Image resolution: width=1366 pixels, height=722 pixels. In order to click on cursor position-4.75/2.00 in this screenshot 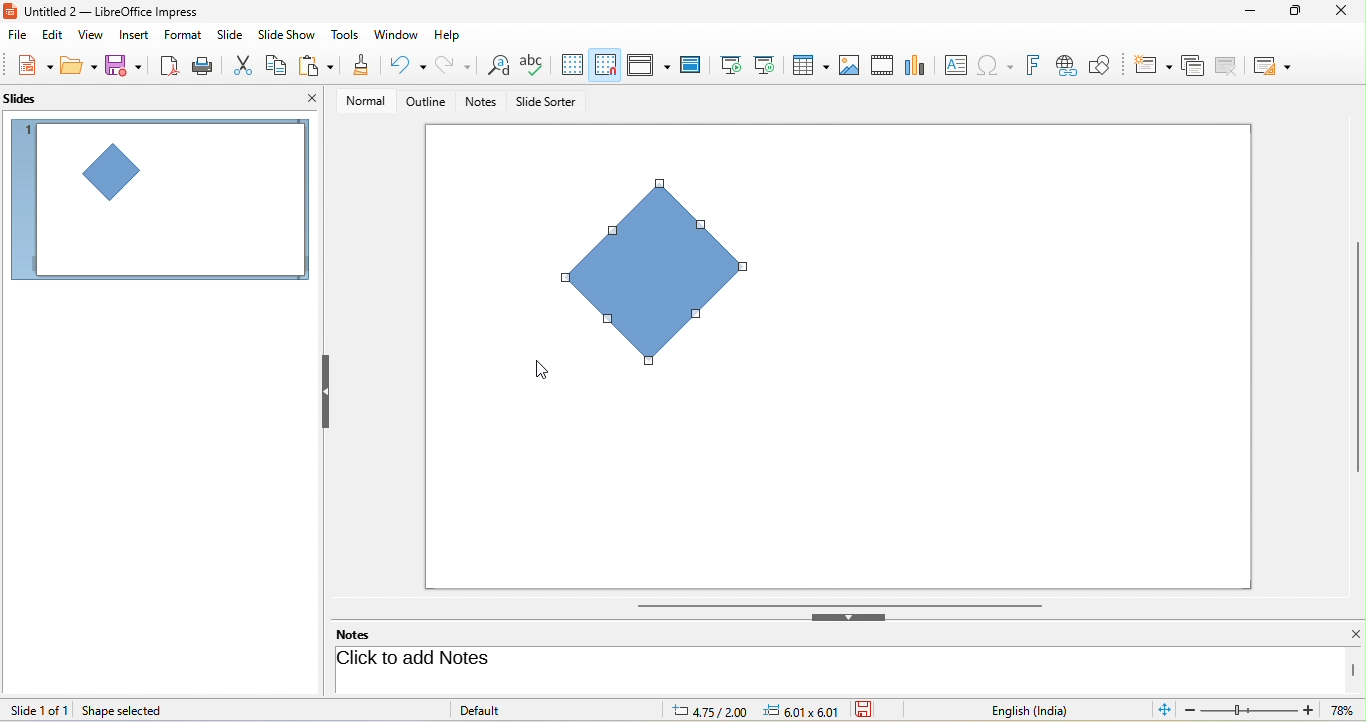, I will do `click(712, 710)`.